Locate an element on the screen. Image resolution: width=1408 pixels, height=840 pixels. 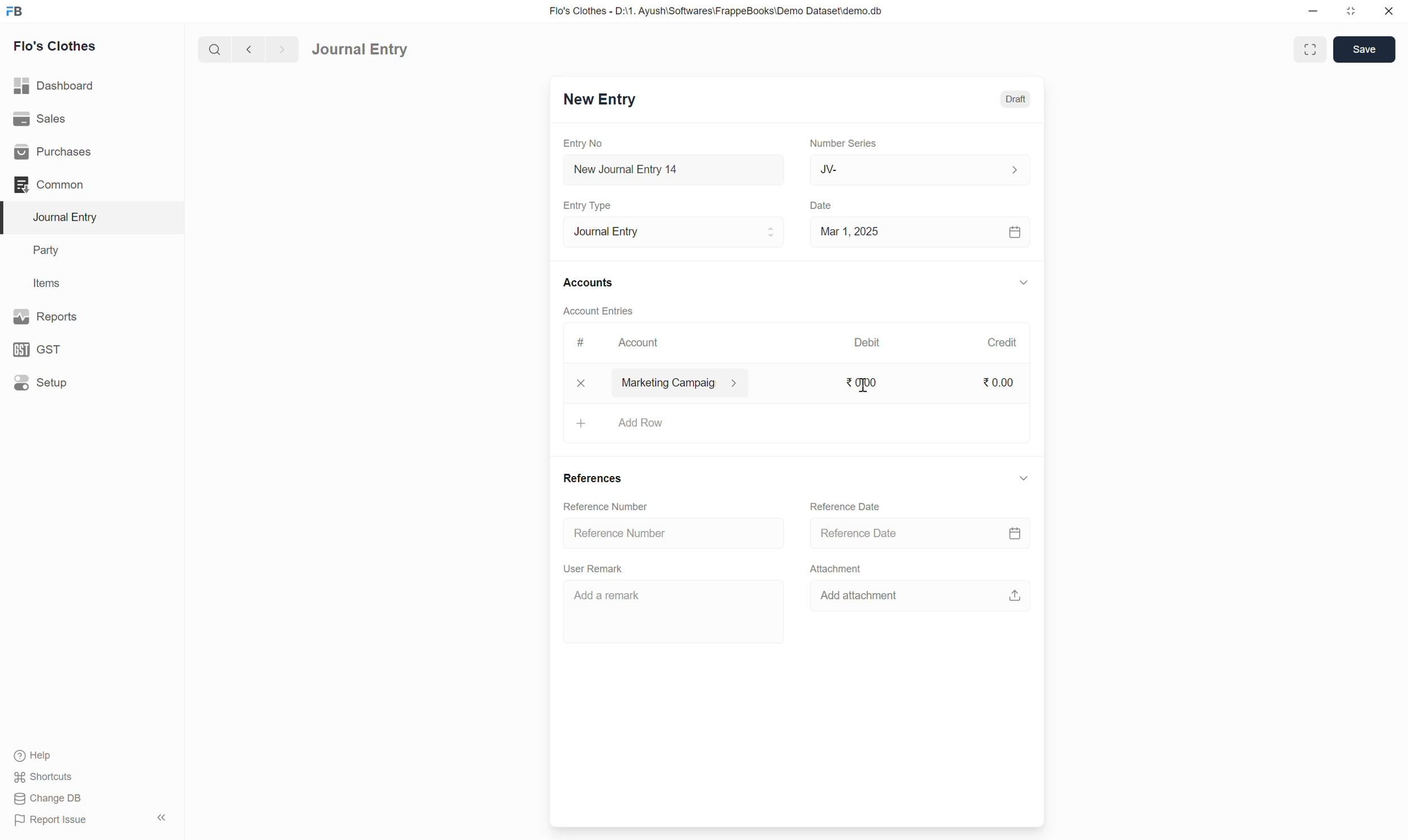
Journal Entry is located at coordinates (360, 50).